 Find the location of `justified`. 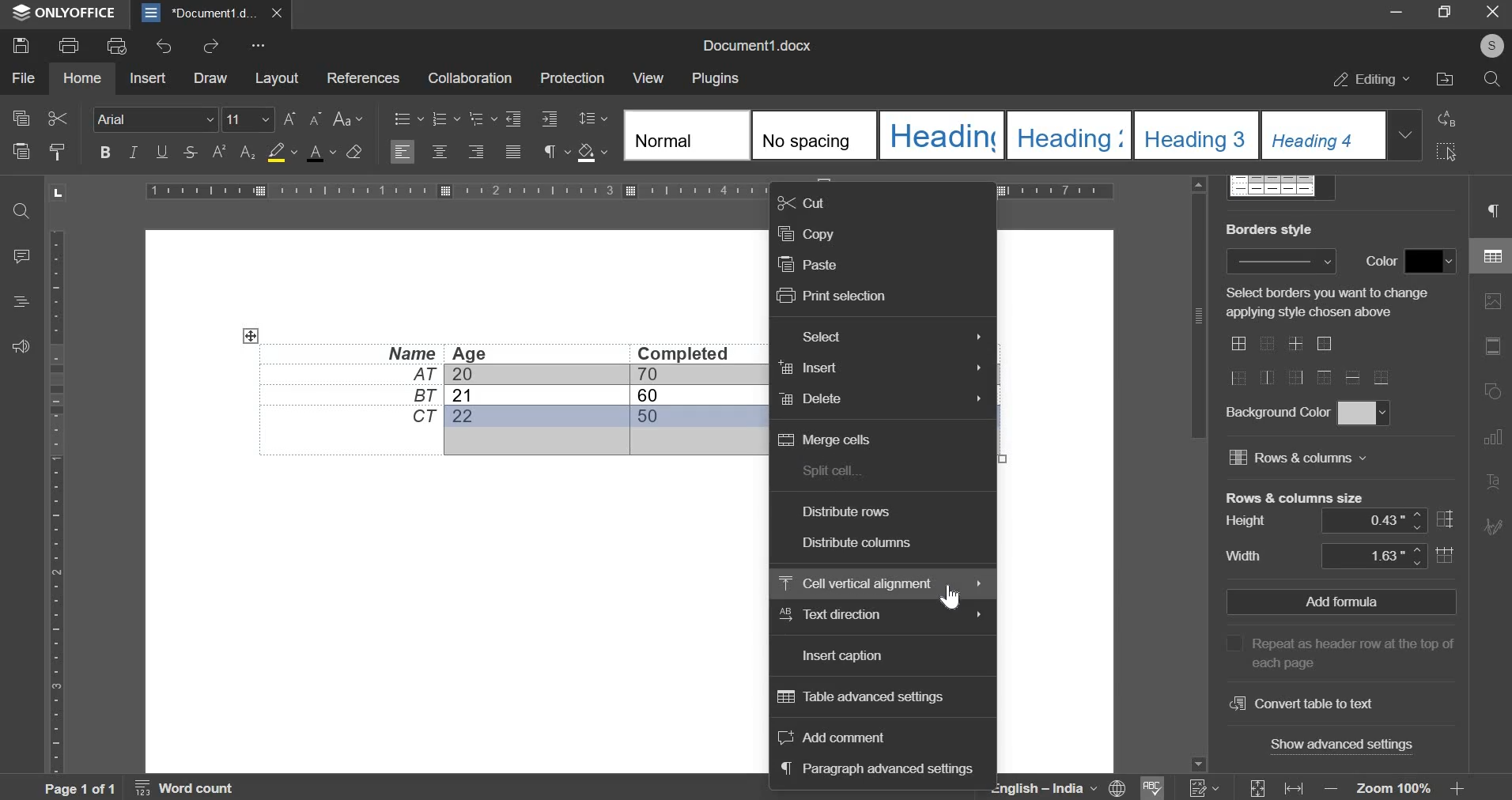

justified is located at coordinates (514, 153).